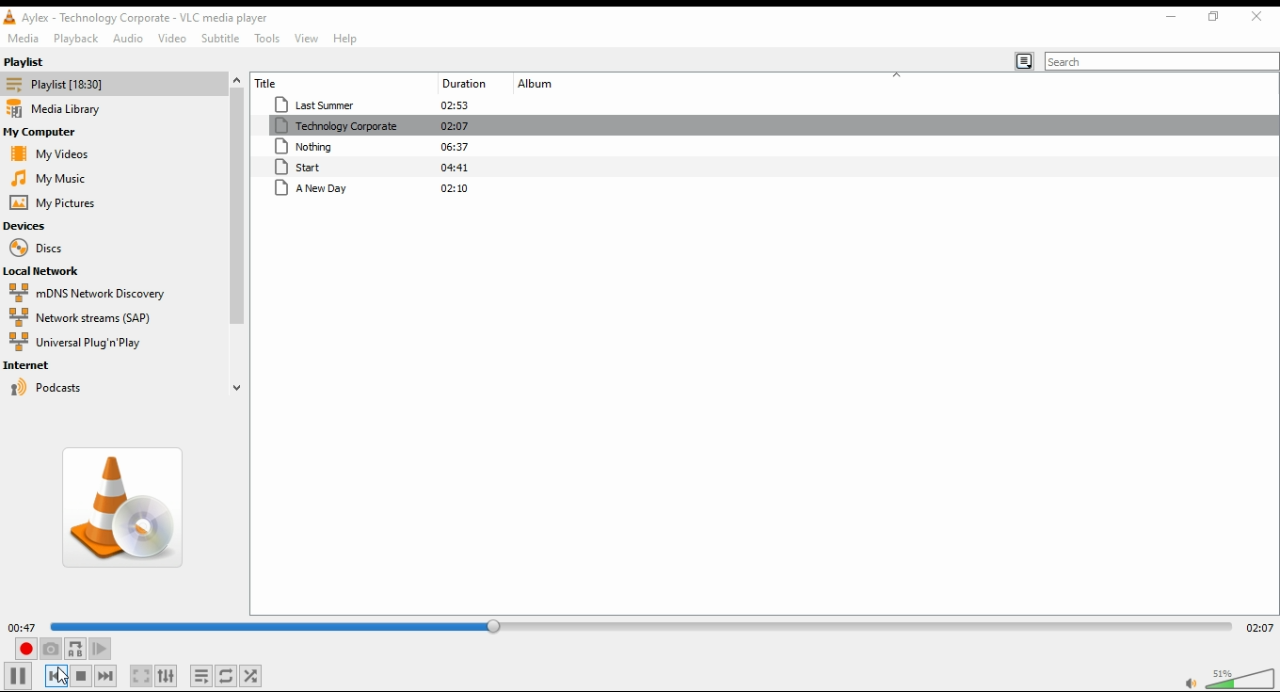 This screenshot has height=692, width=1280. I want to click on aylex - technology corporate - VLC media player, so click(147, 17).